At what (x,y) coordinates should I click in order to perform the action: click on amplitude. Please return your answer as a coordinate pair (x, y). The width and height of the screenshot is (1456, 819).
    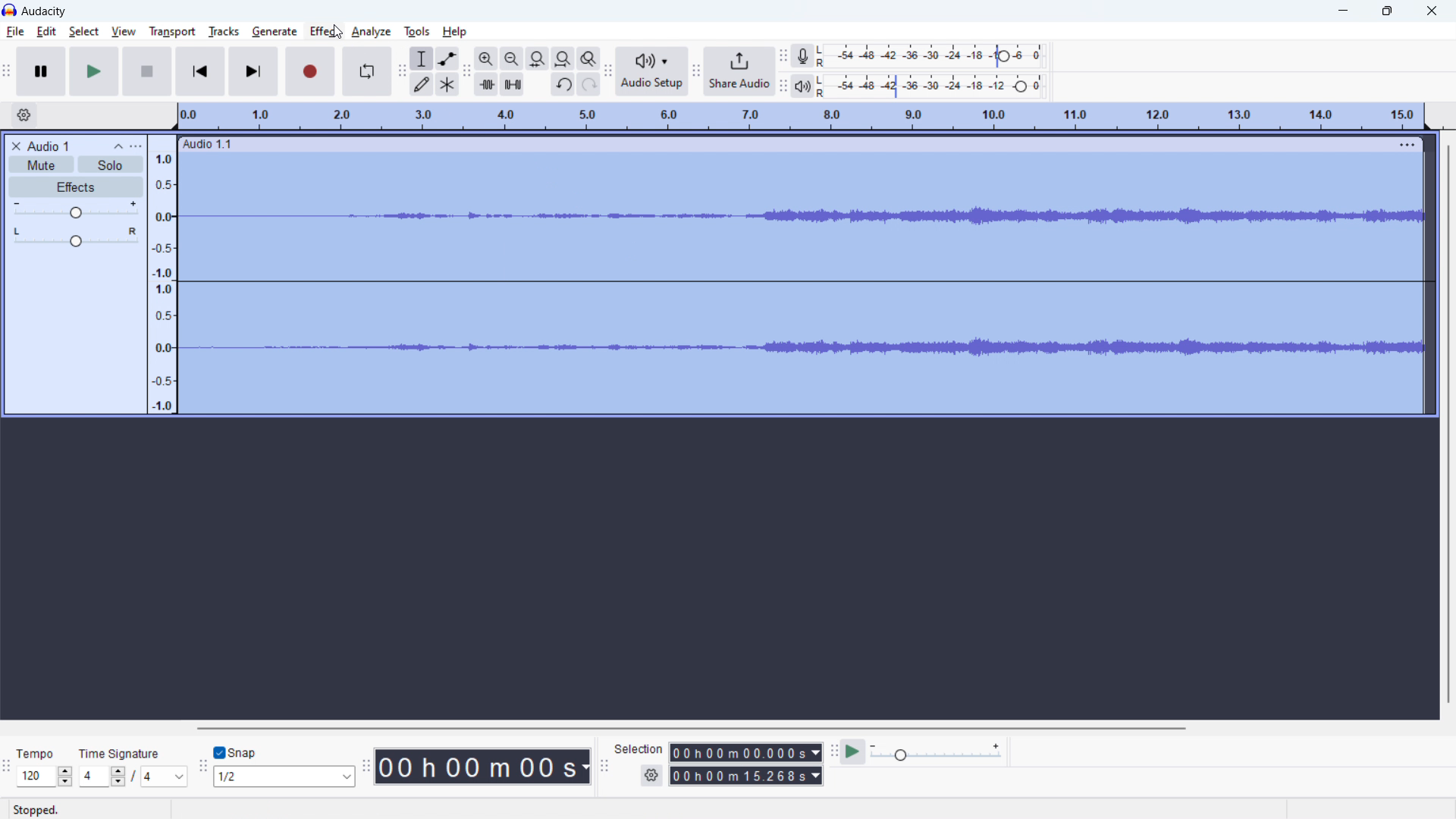
    Looking at the image, I should click on (163, 274).